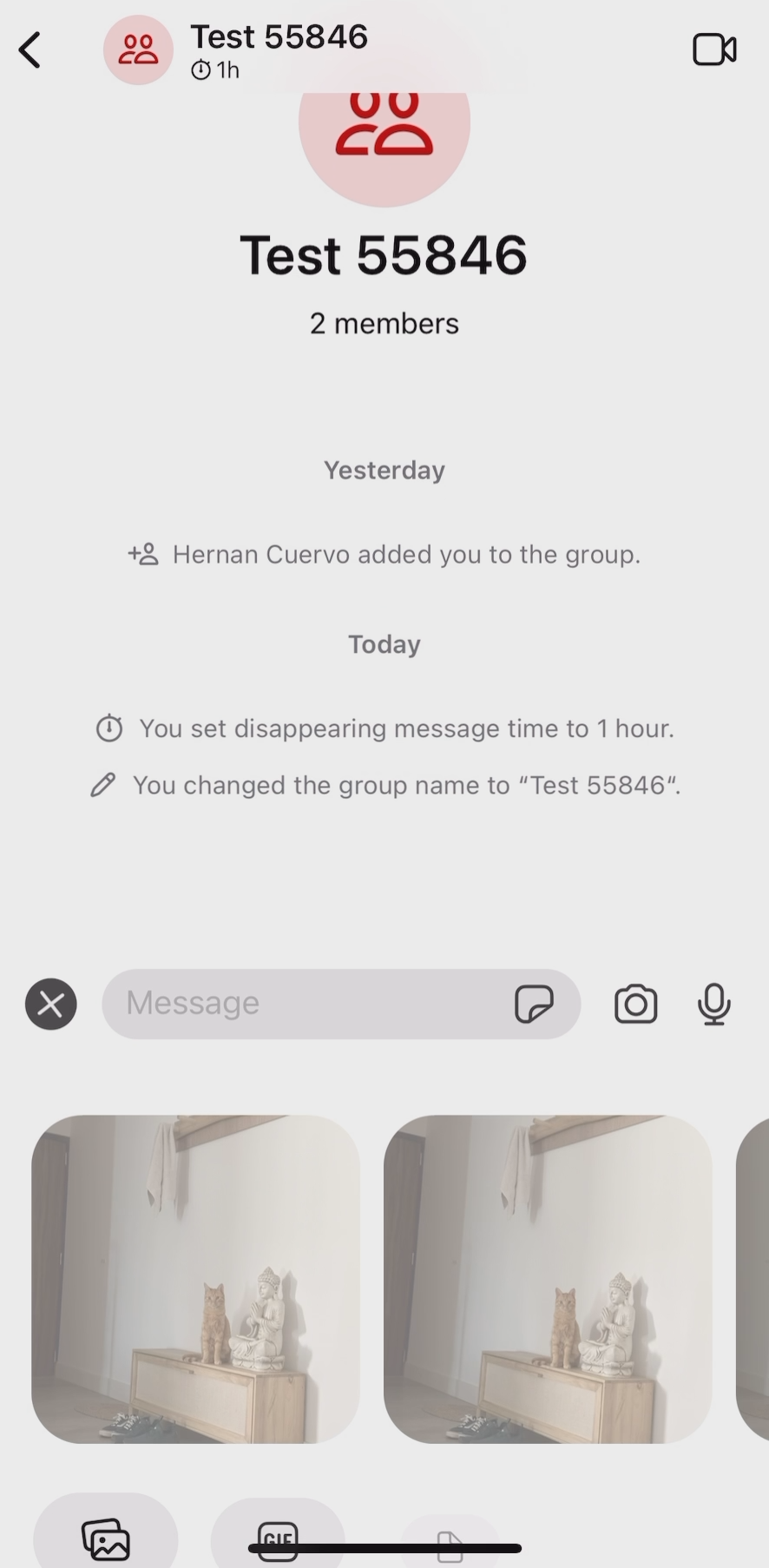 The height and width of the screenshot is (1568, 769). Describe the element at coordinates (638, 1005) in the screenshot. I see `camera` at that location.